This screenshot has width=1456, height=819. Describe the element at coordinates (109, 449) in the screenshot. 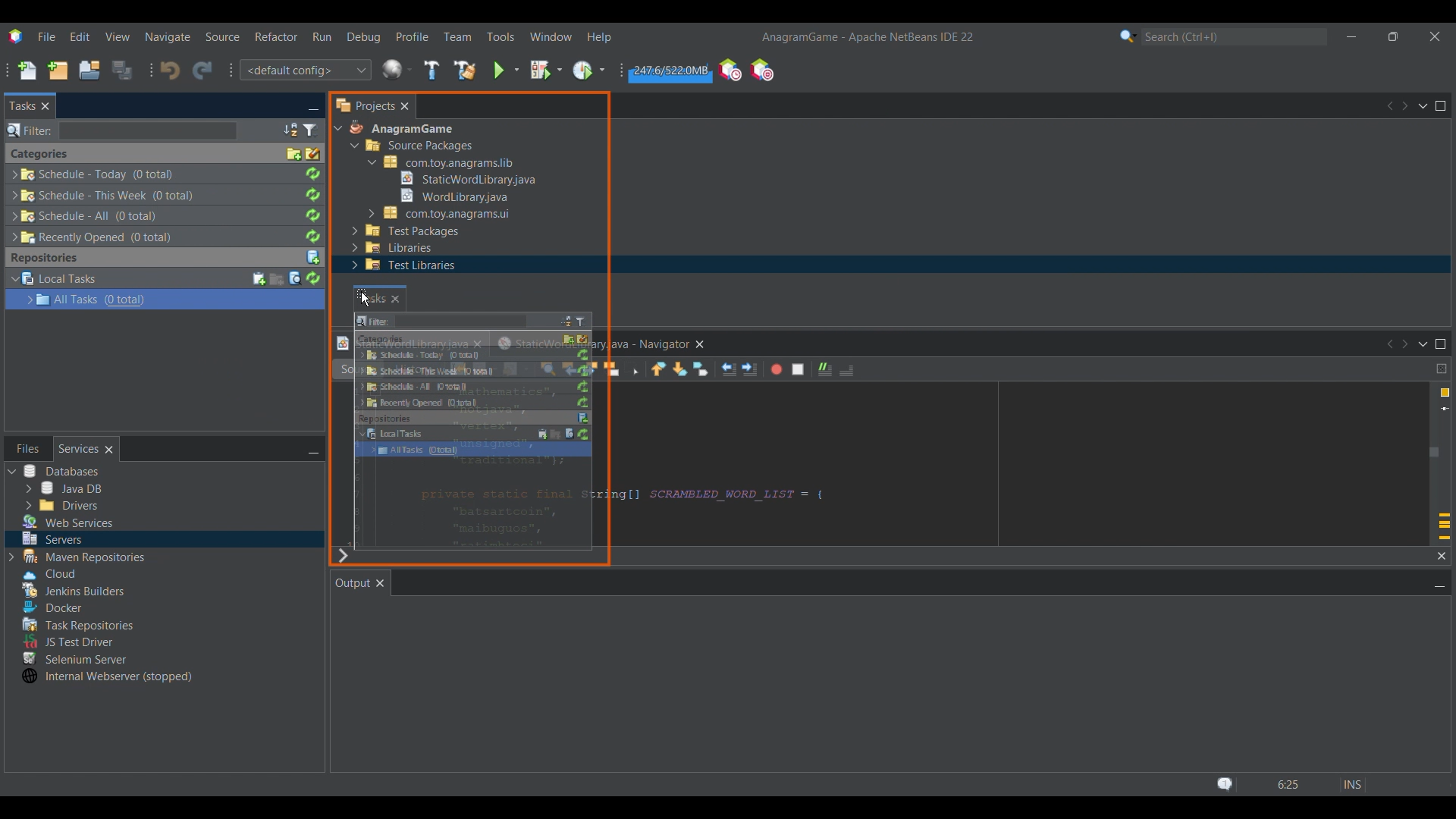

I see `Close` at that location.